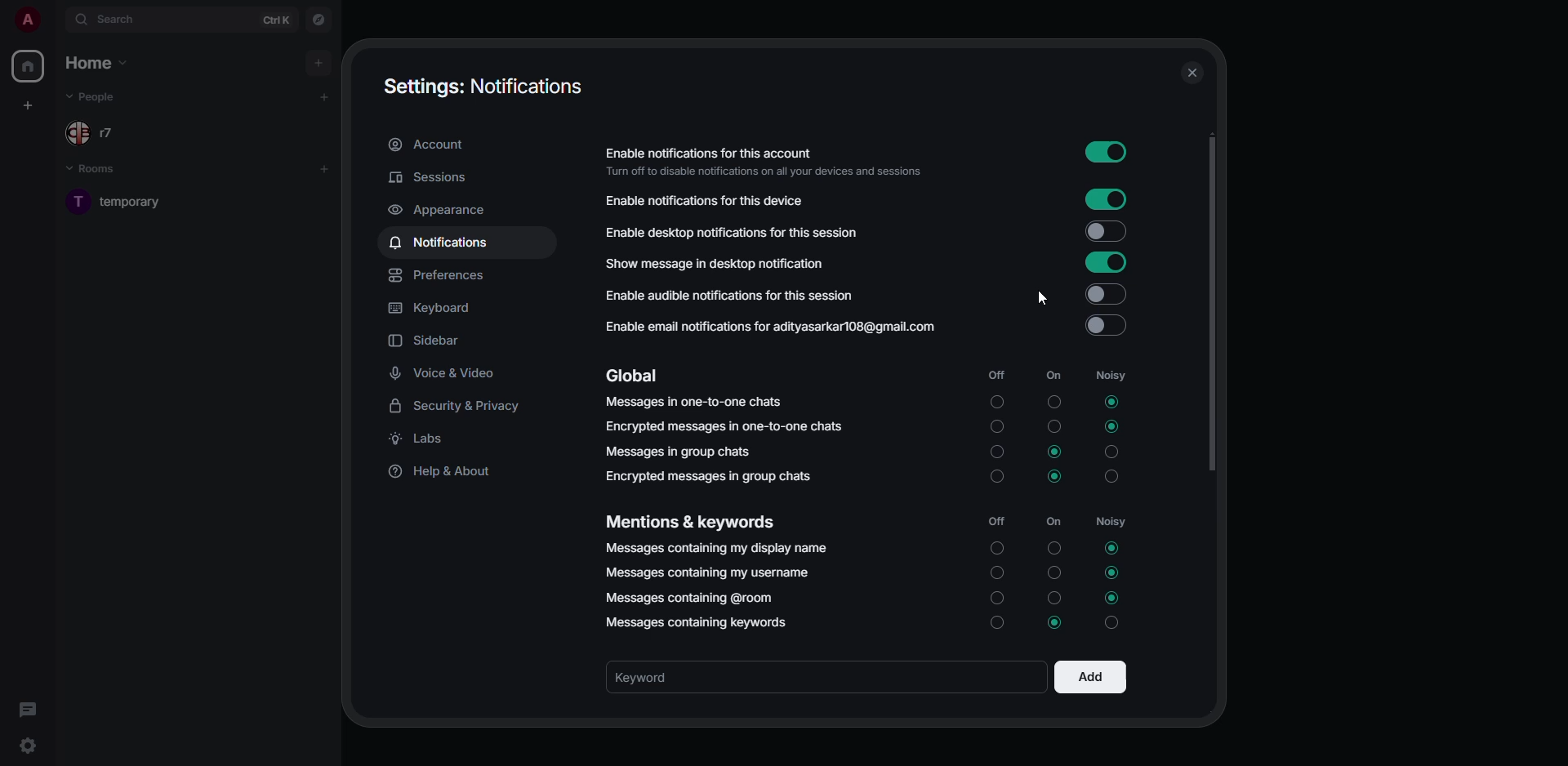 This screenshot has width=1568, height=766. Describe the element at coordinates (1111, 402) in the screenshot. I see `selected` at that location.